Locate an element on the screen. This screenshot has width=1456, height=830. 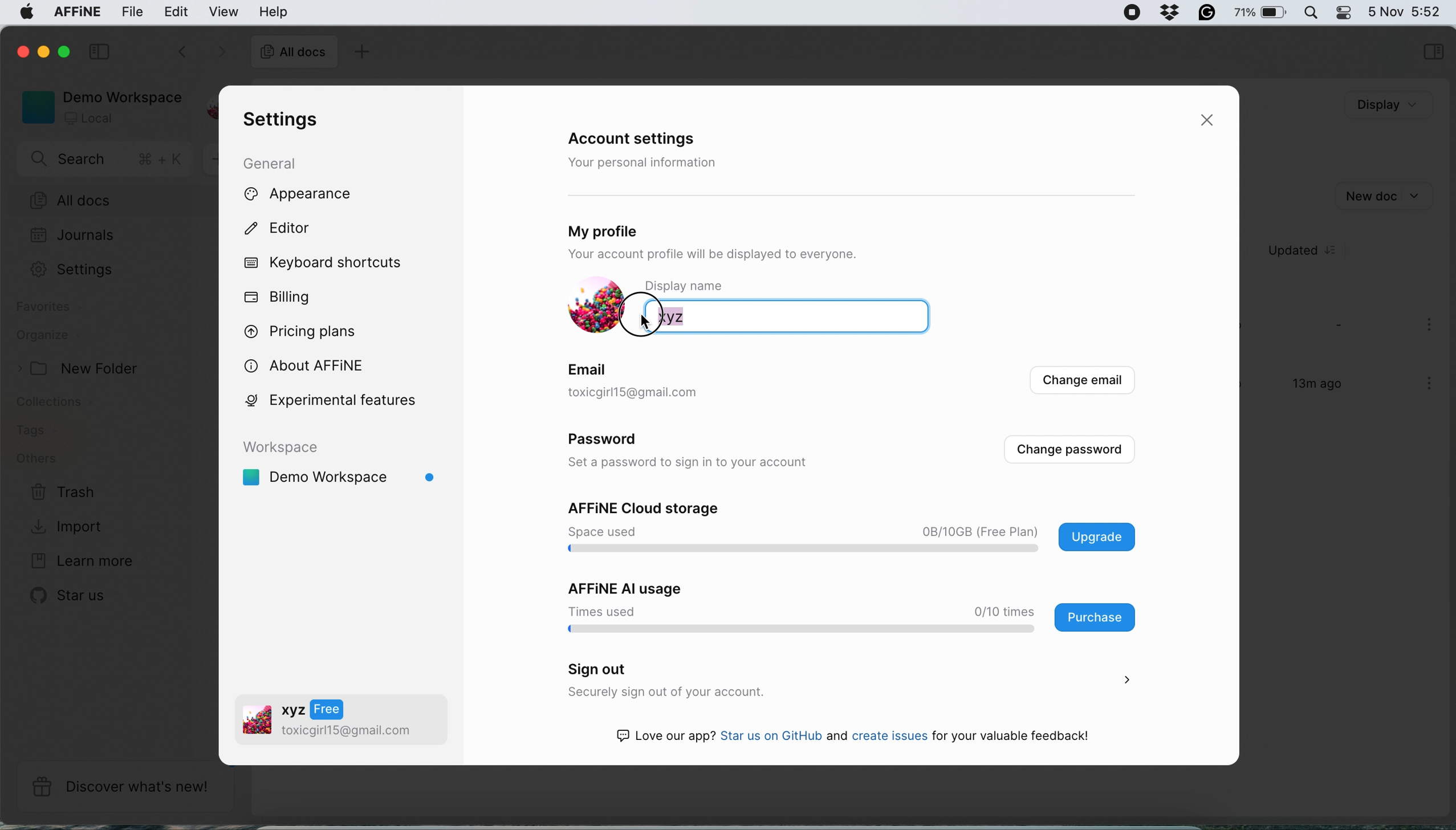
more options is located at coordinates (1431, 385).